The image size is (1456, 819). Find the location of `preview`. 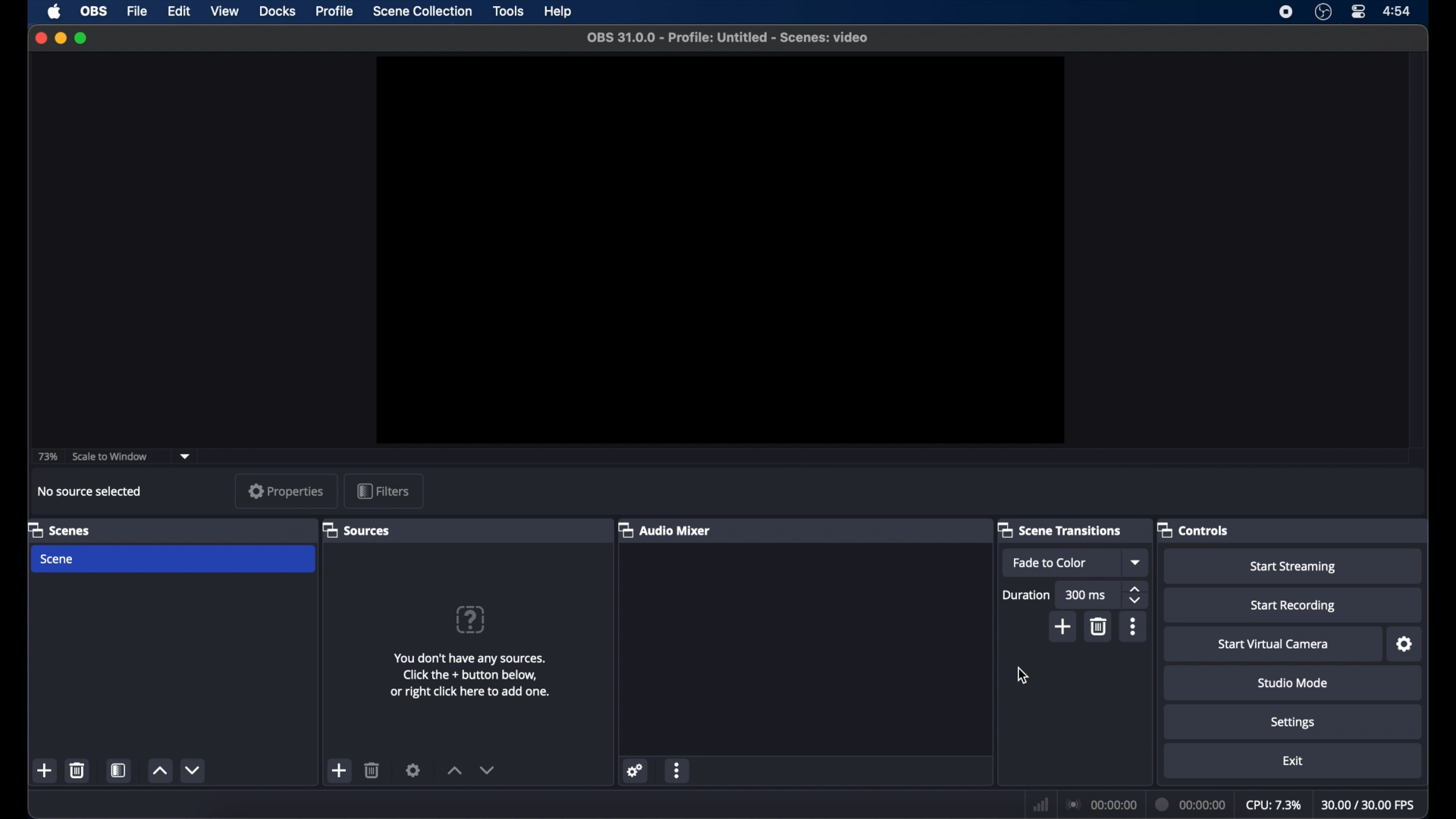

preview is located at coordinates (722, 249).